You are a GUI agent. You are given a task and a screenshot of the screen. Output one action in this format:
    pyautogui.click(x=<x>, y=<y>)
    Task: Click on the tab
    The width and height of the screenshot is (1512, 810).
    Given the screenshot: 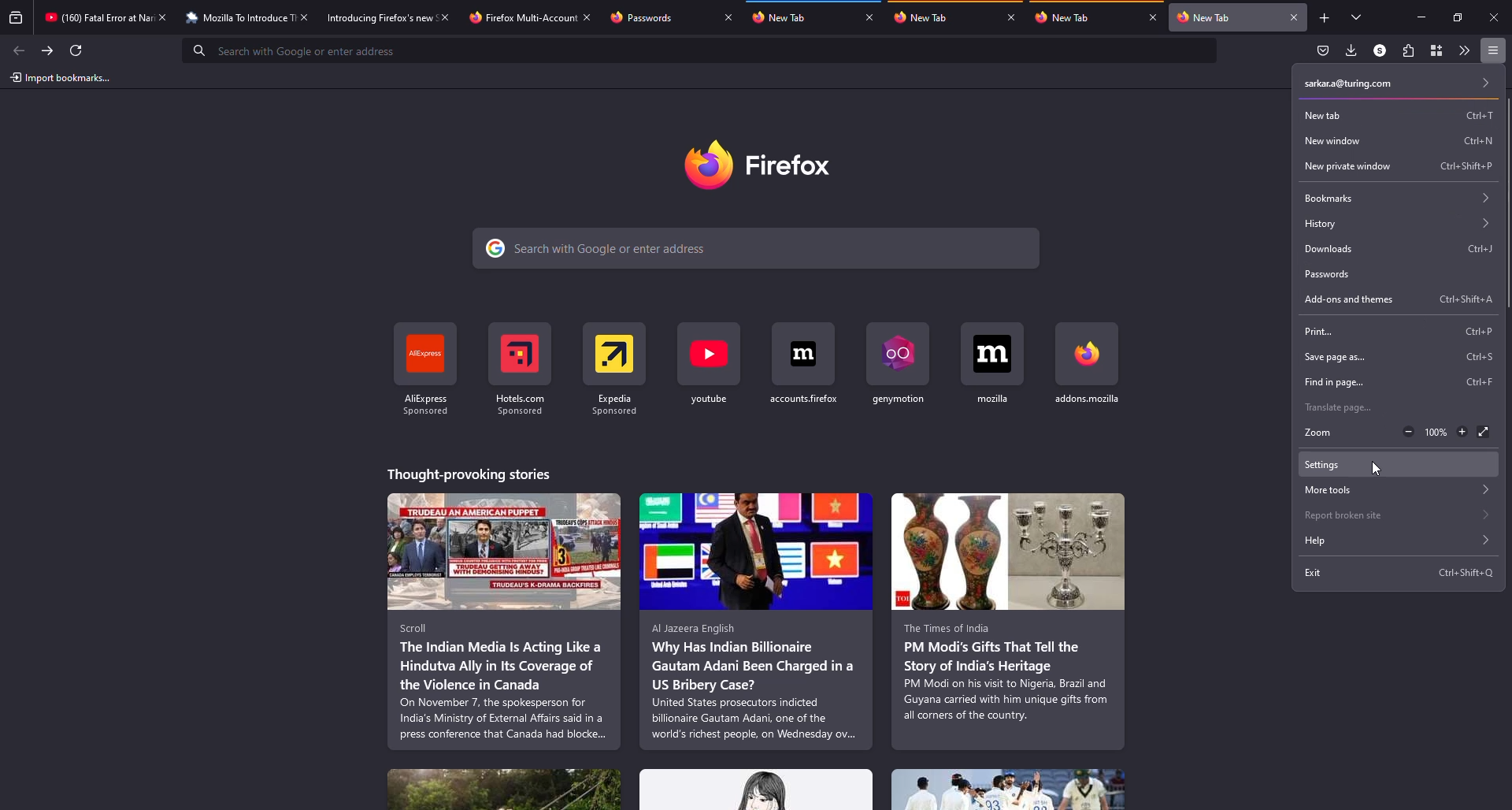 What is the action you would take?
    pyautogui.click(x=237, y=18)
    